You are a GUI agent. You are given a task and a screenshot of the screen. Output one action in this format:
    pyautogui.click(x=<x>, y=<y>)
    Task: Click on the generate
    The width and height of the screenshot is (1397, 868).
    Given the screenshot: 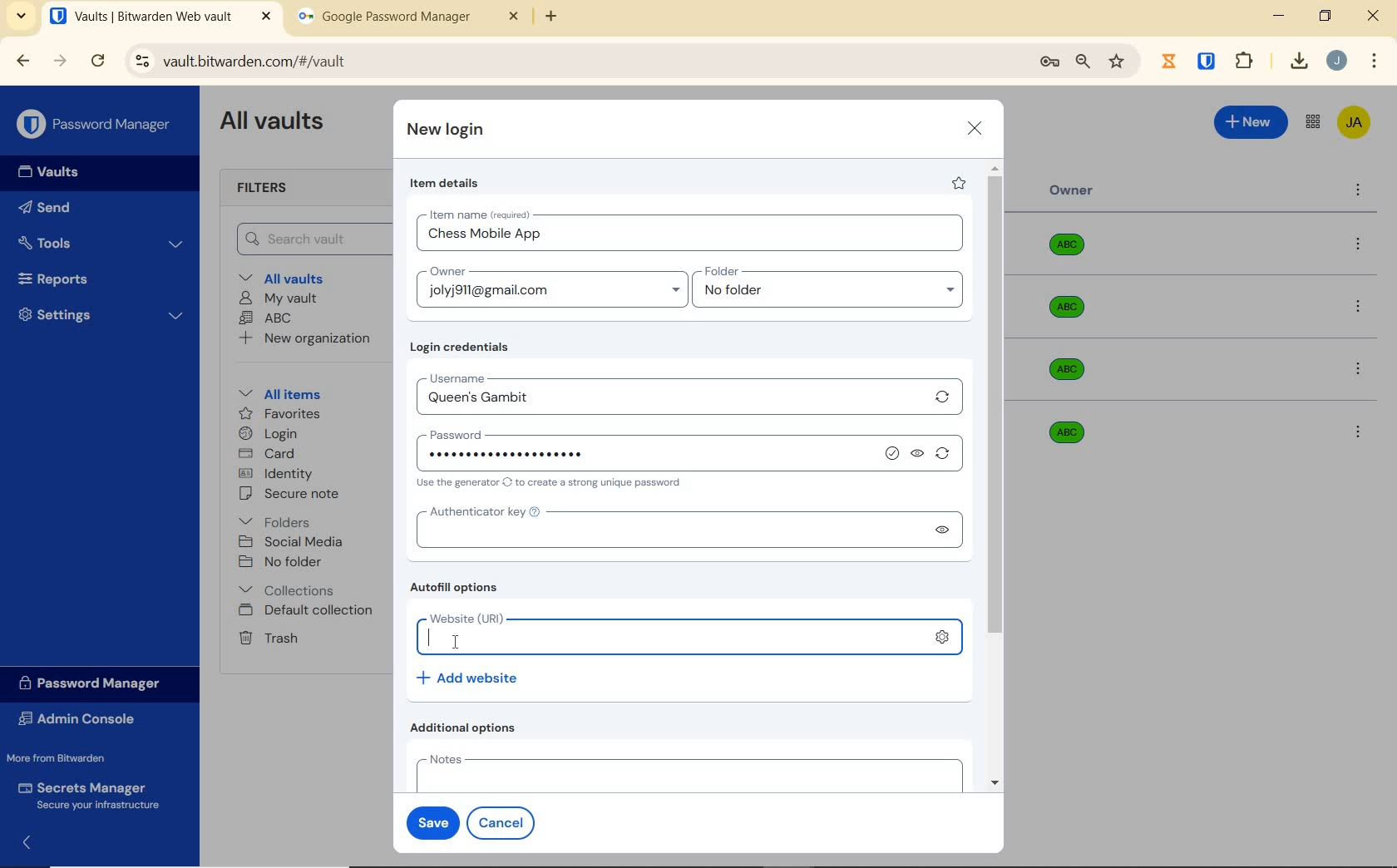 What is the action you would take?
    pyautogui.click(x=946, y=456)
    